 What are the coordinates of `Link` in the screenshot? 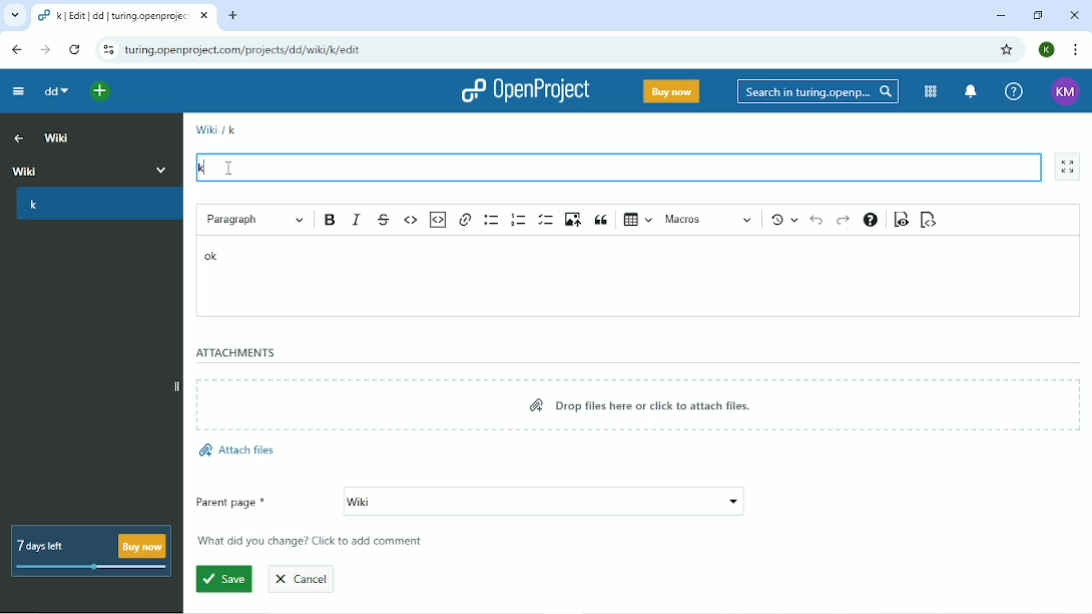 It's located at (465, 219).